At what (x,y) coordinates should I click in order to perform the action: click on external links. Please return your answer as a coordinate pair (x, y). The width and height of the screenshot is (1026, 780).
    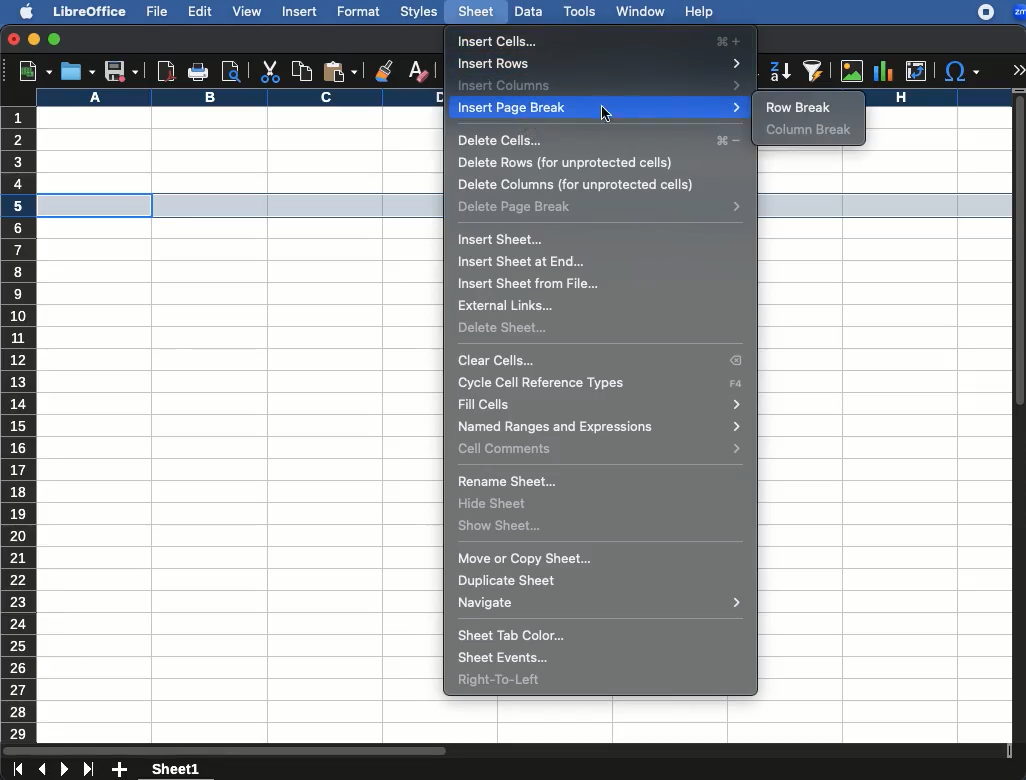
    Looking at the image, I should click on (507, 306).